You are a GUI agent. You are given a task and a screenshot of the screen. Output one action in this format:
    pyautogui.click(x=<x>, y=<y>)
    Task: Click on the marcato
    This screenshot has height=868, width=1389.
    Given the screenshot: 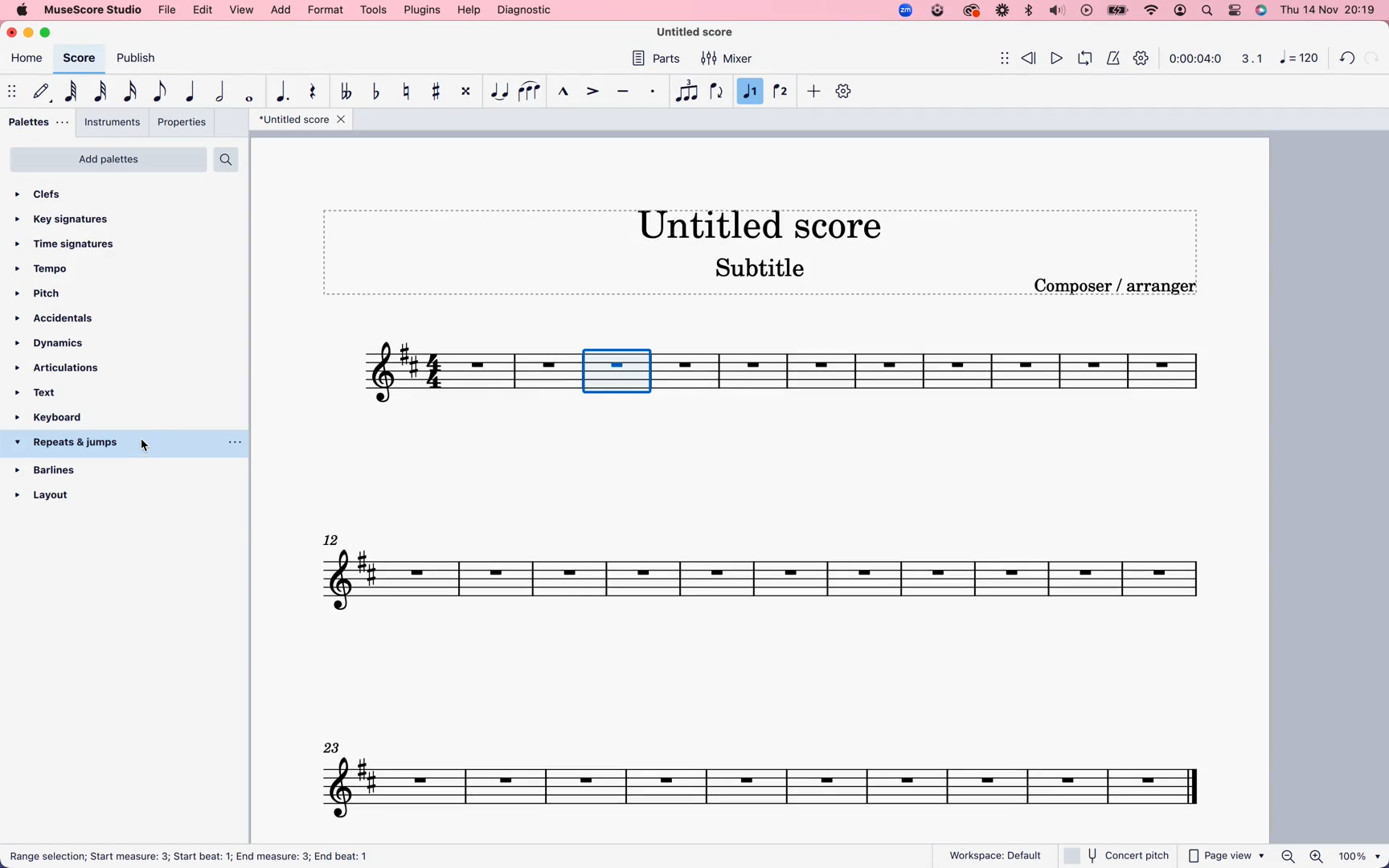 What is the action you would take?
    pyautogui.click(x=563, y=93)
    